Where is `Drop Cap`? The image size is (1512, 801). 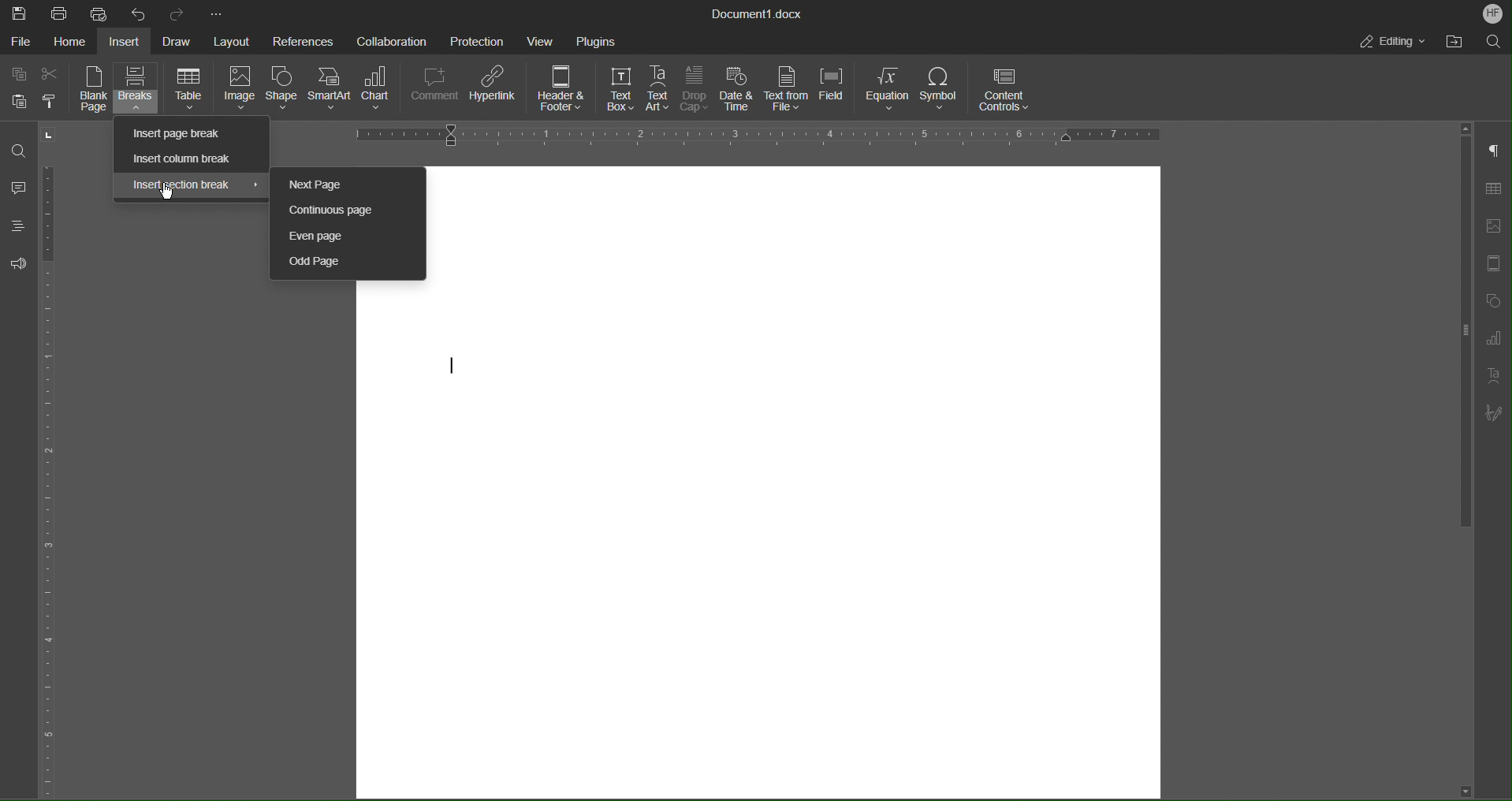 Drop Cap is located at coordinates (695, 90).